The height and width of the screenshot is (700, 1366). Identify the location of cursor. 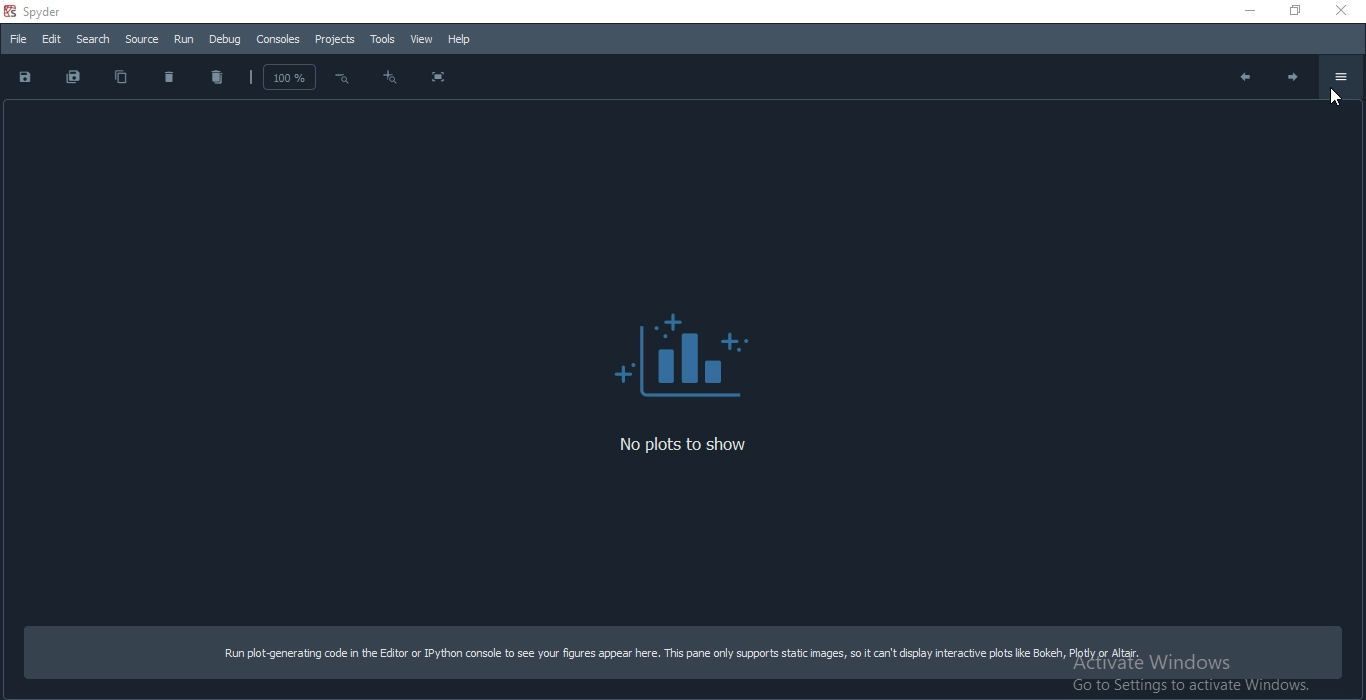
(1336, 102).